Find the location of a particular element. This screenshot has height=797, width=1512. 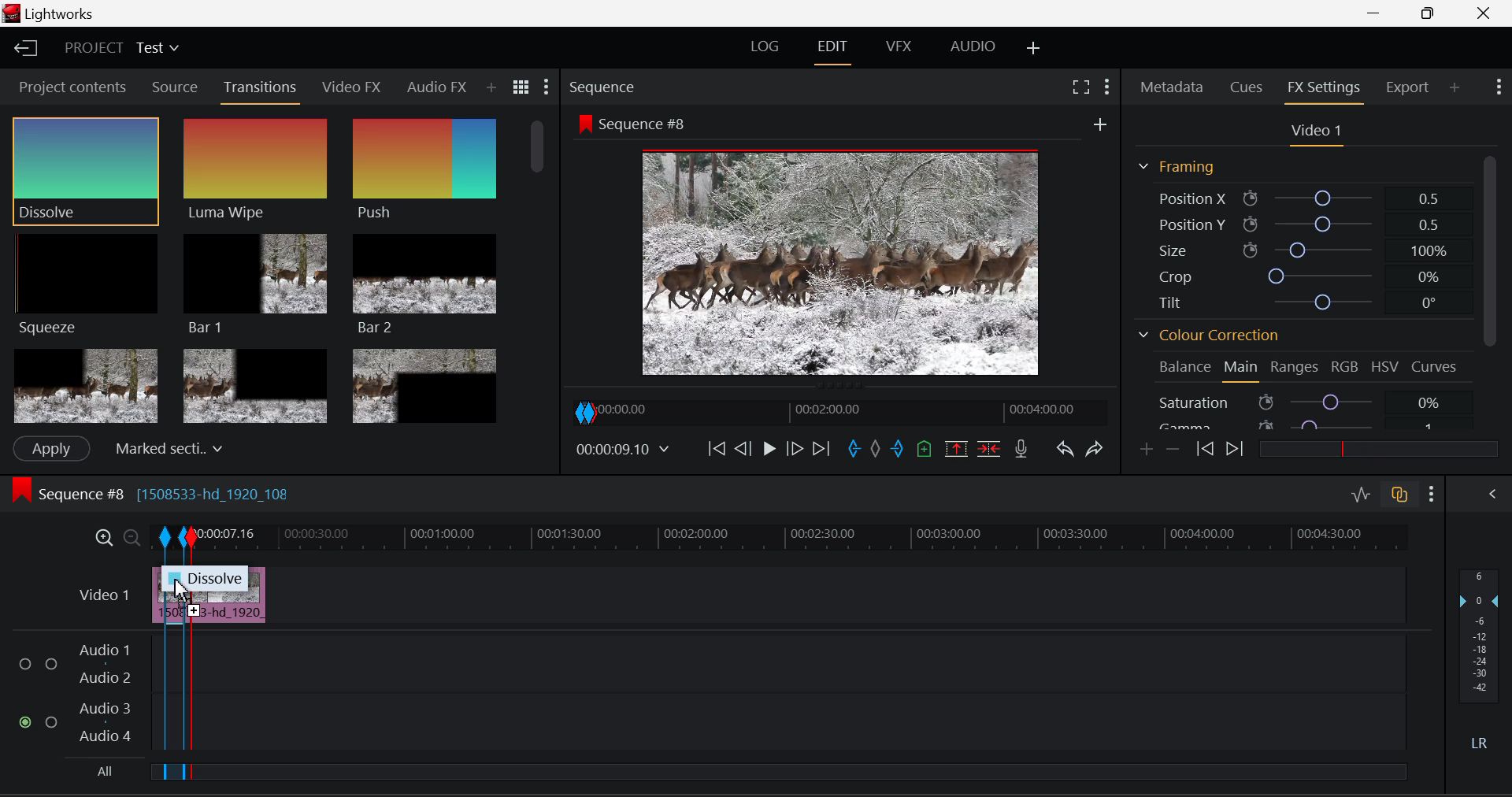

Close is located at coordinates (1485, 13).